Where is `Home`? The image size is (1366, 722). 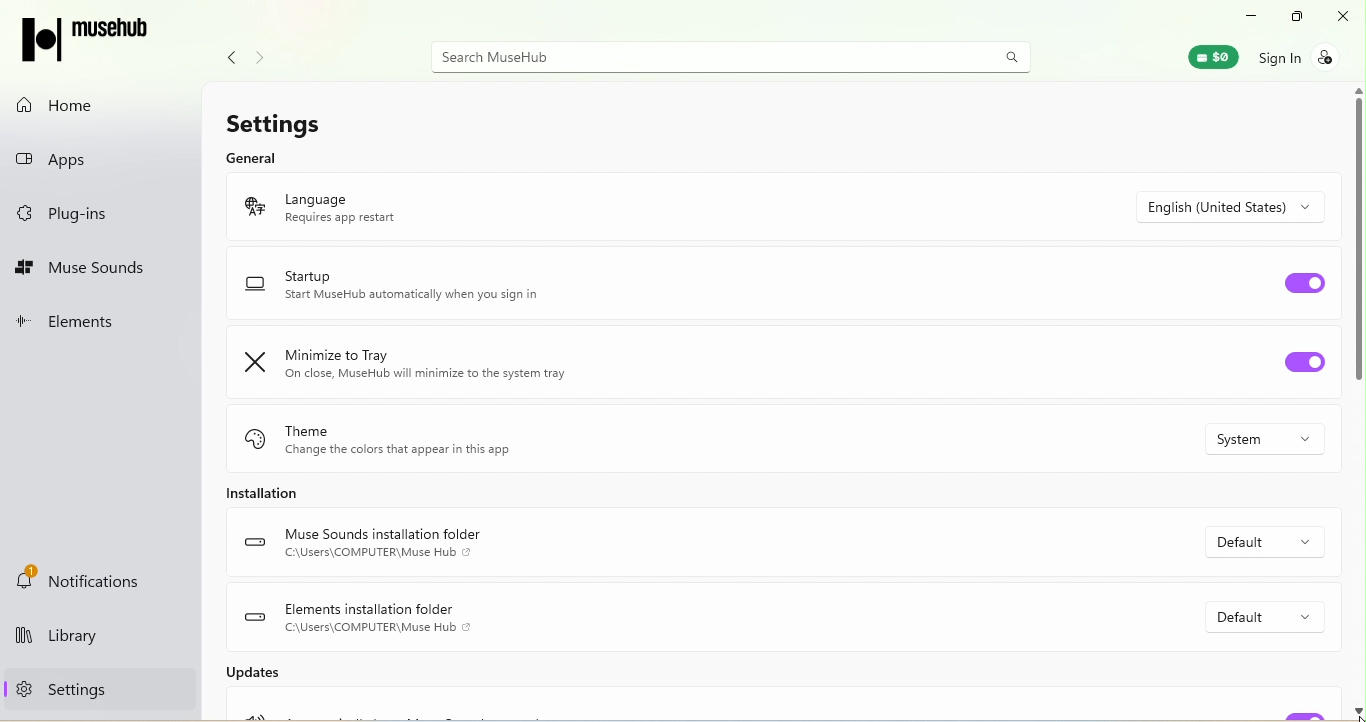 Home is located at coordinates (66, 105).